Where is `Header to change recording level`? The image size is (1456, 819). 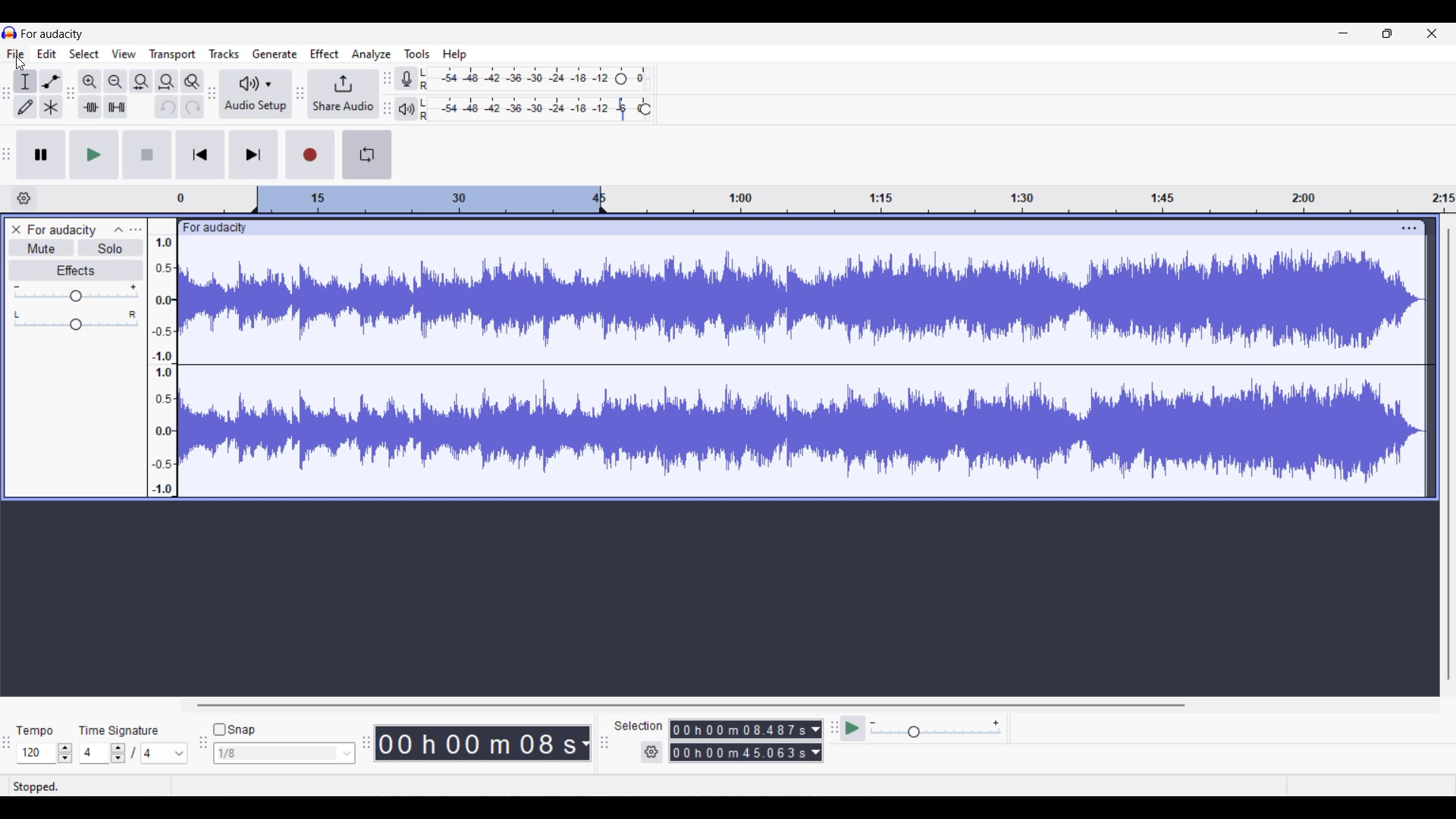 Header to change recording level is located at coordinates (621, 79).